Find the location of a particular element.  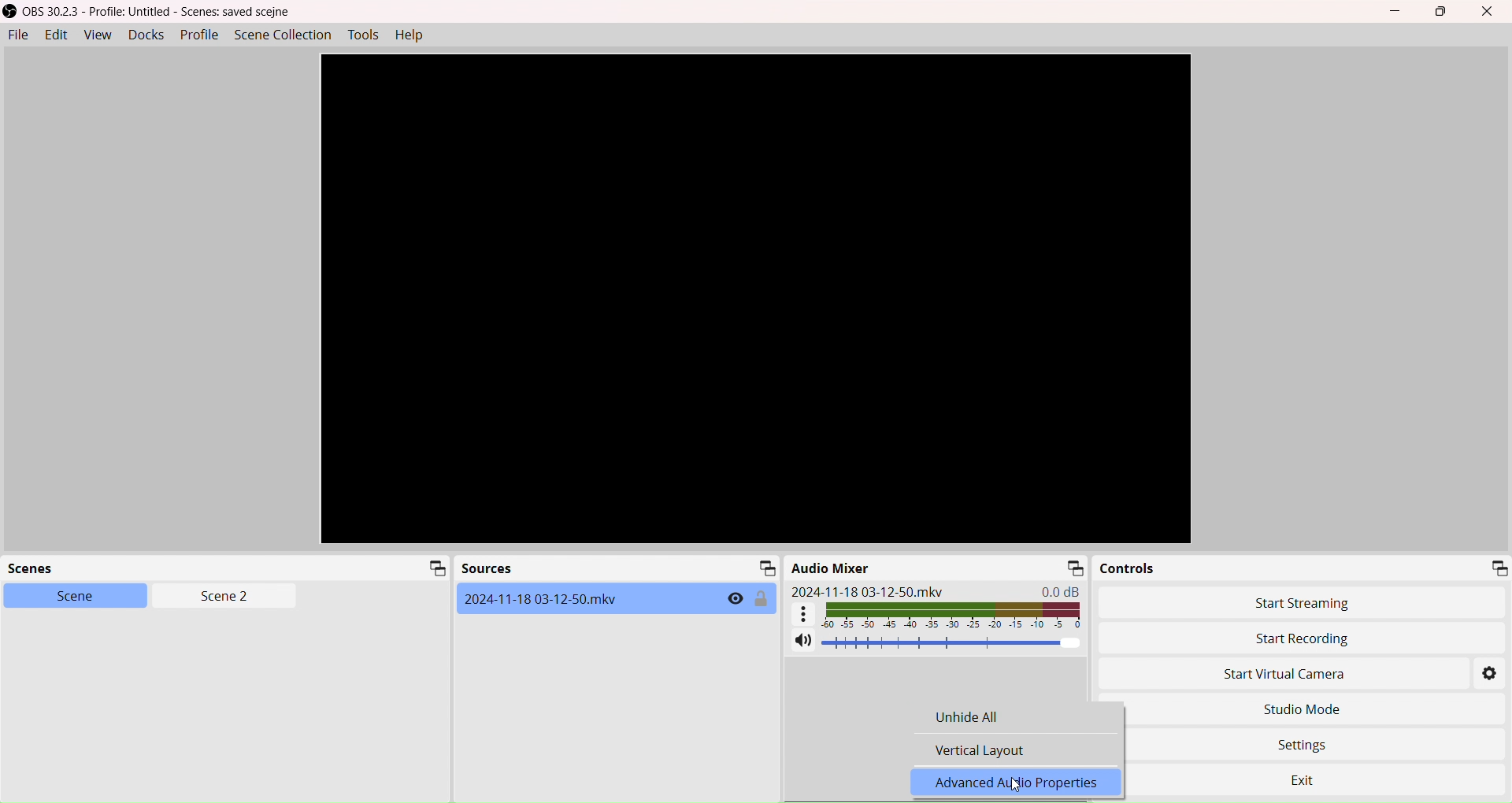

2024-11-18 03-12-50.mkv is located at coordinates (868, 591).